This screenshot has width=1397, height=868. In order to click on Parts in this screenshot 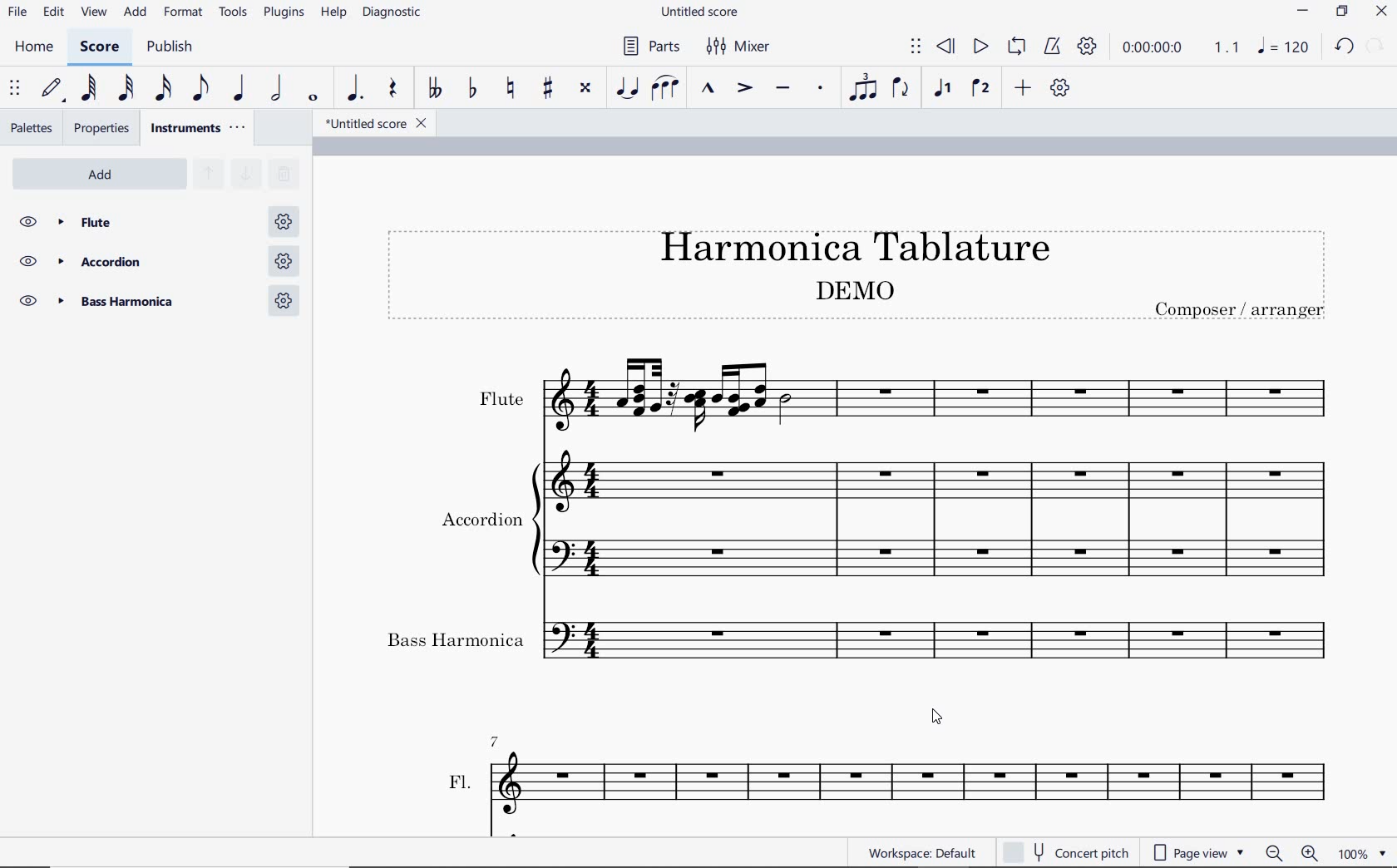, I will do `click(652, 47)`.